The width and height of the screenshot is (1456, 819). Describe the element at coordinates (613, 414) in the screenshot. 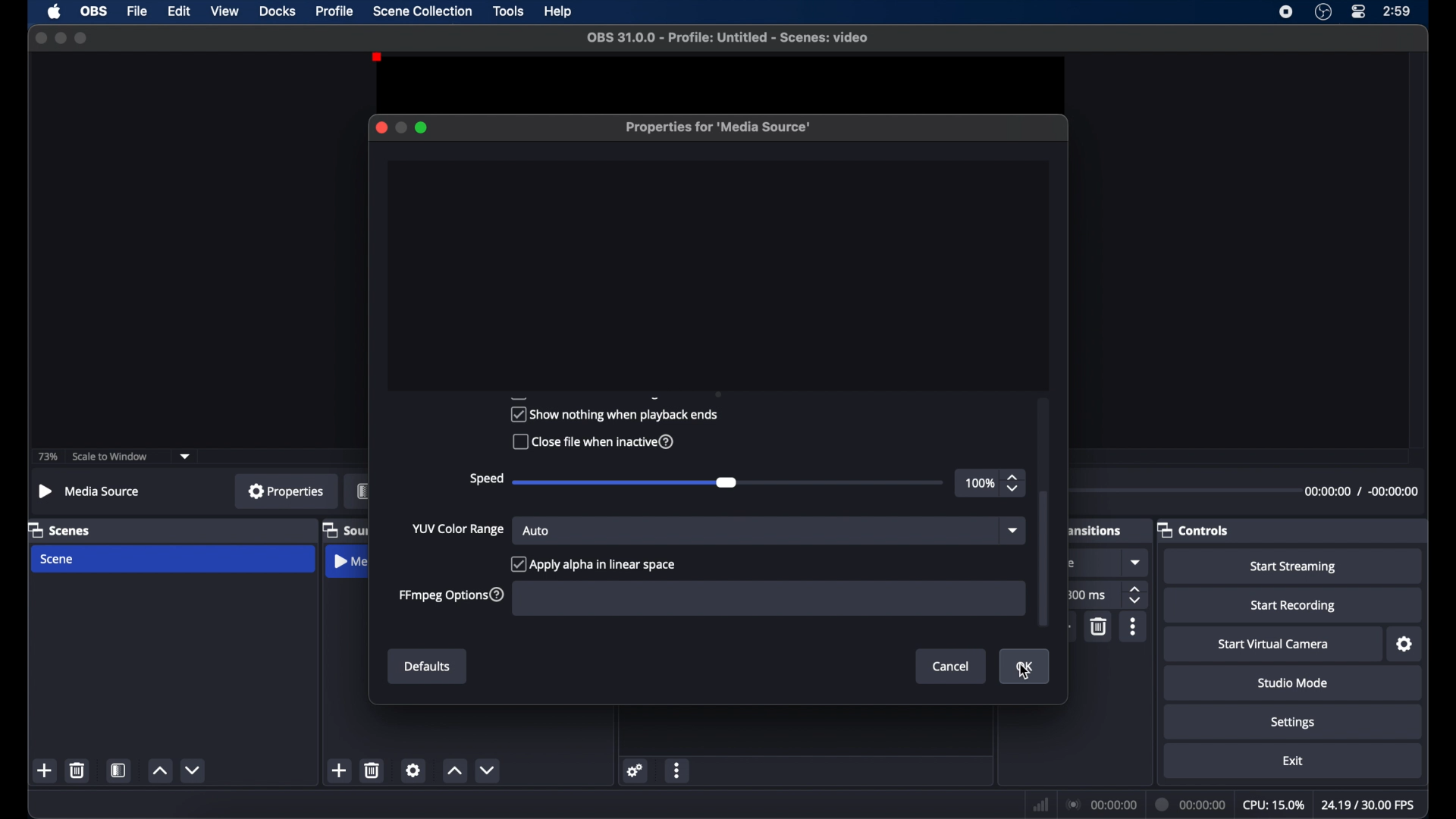

I see `show nothing when playback ends` at that location.